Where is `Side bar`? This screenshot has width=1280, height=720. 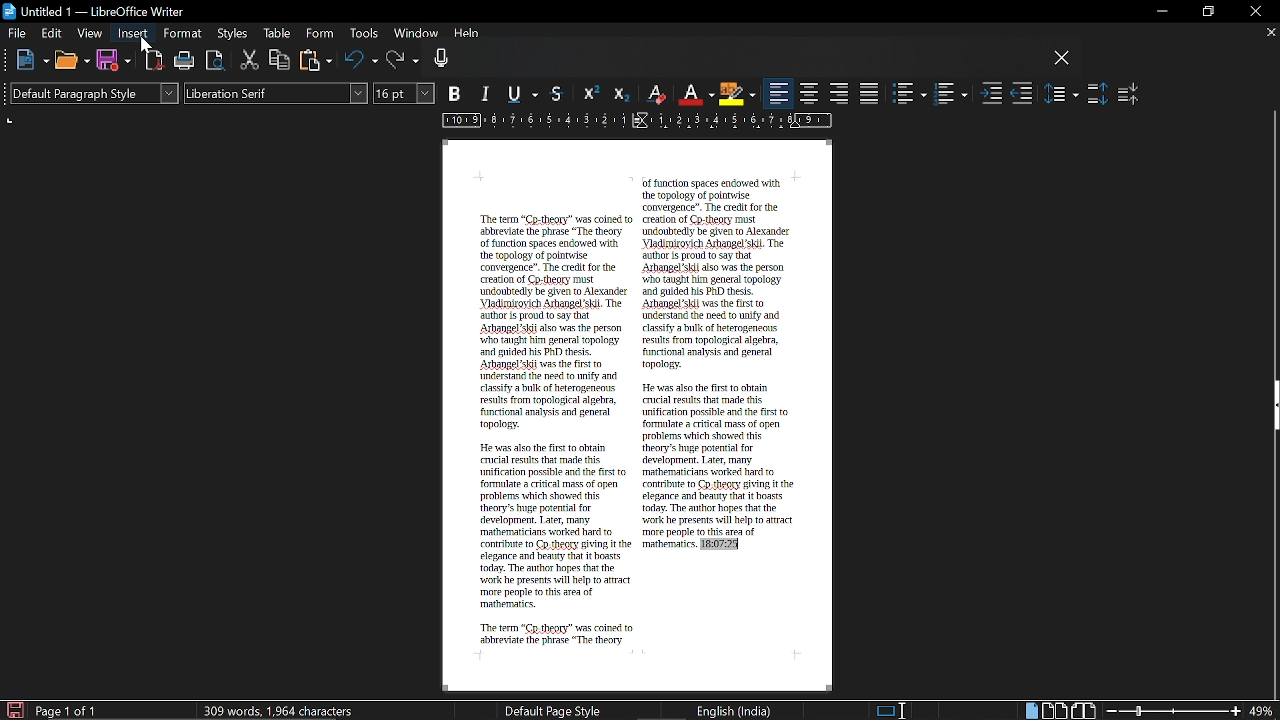 Side bar is located at coordinates (1272, 408).